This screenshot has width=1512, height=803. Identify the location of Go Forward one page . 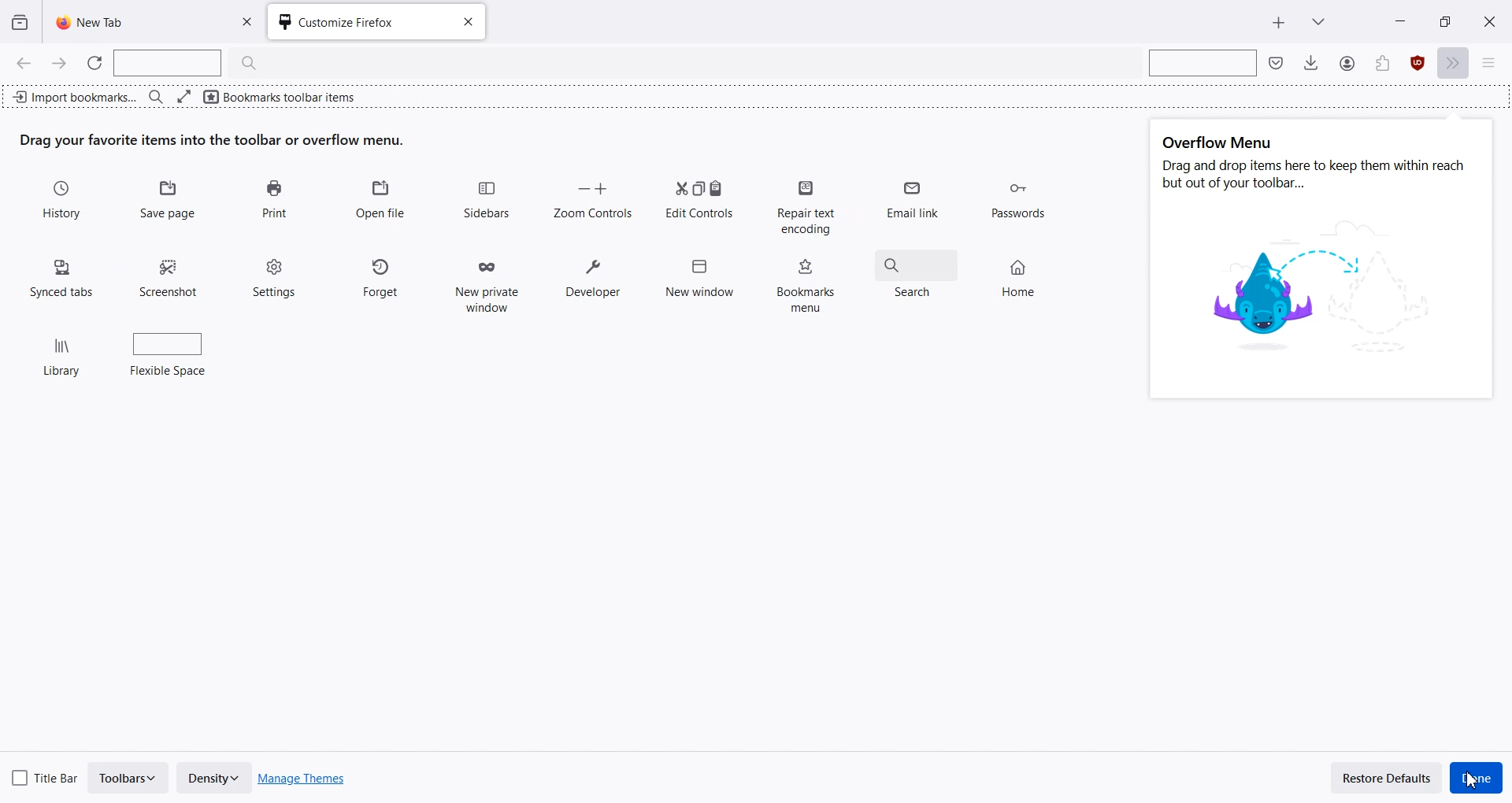
(61, 63).